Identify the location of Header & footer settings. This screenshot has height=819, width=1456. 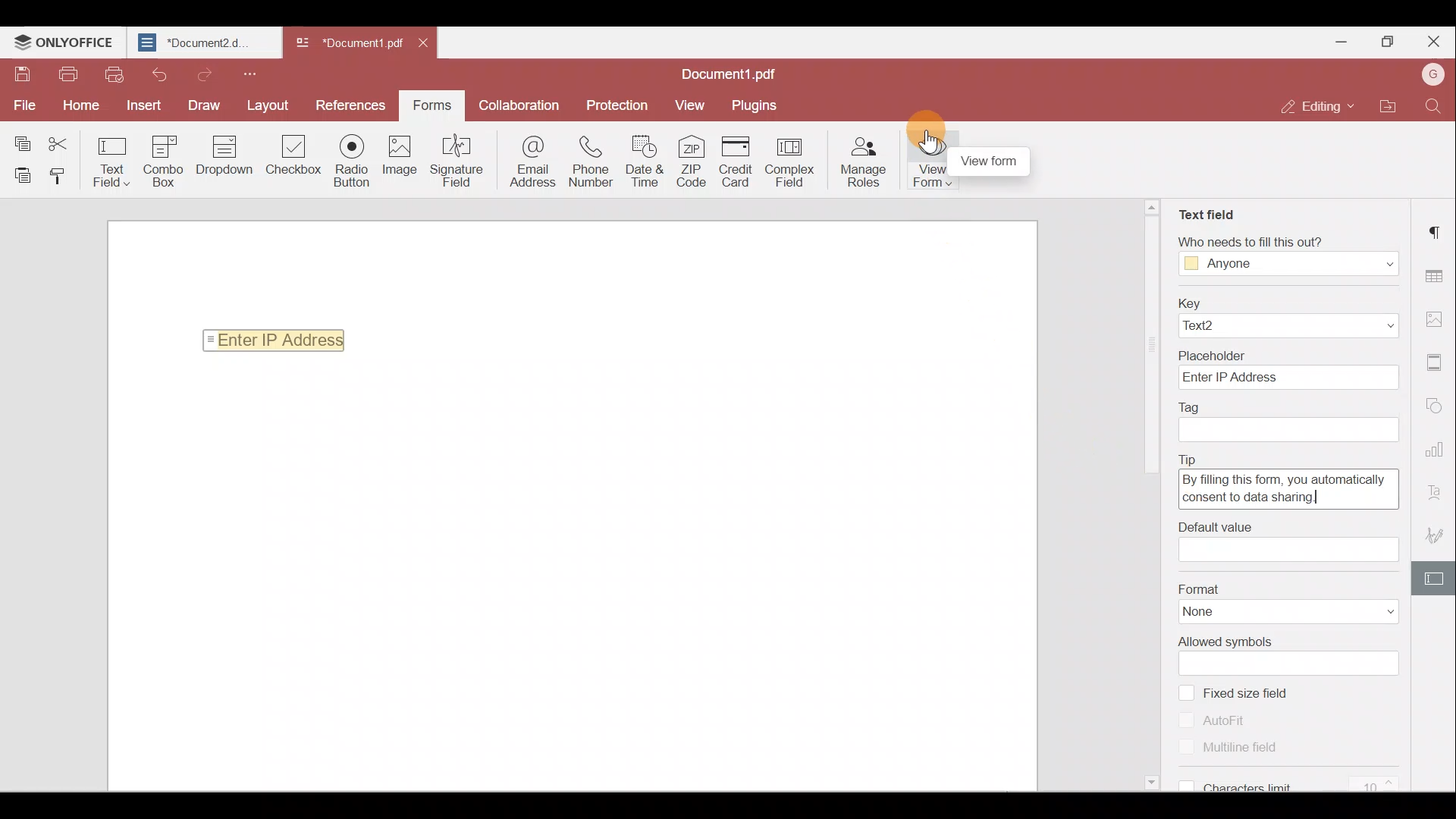
(1437, 362).